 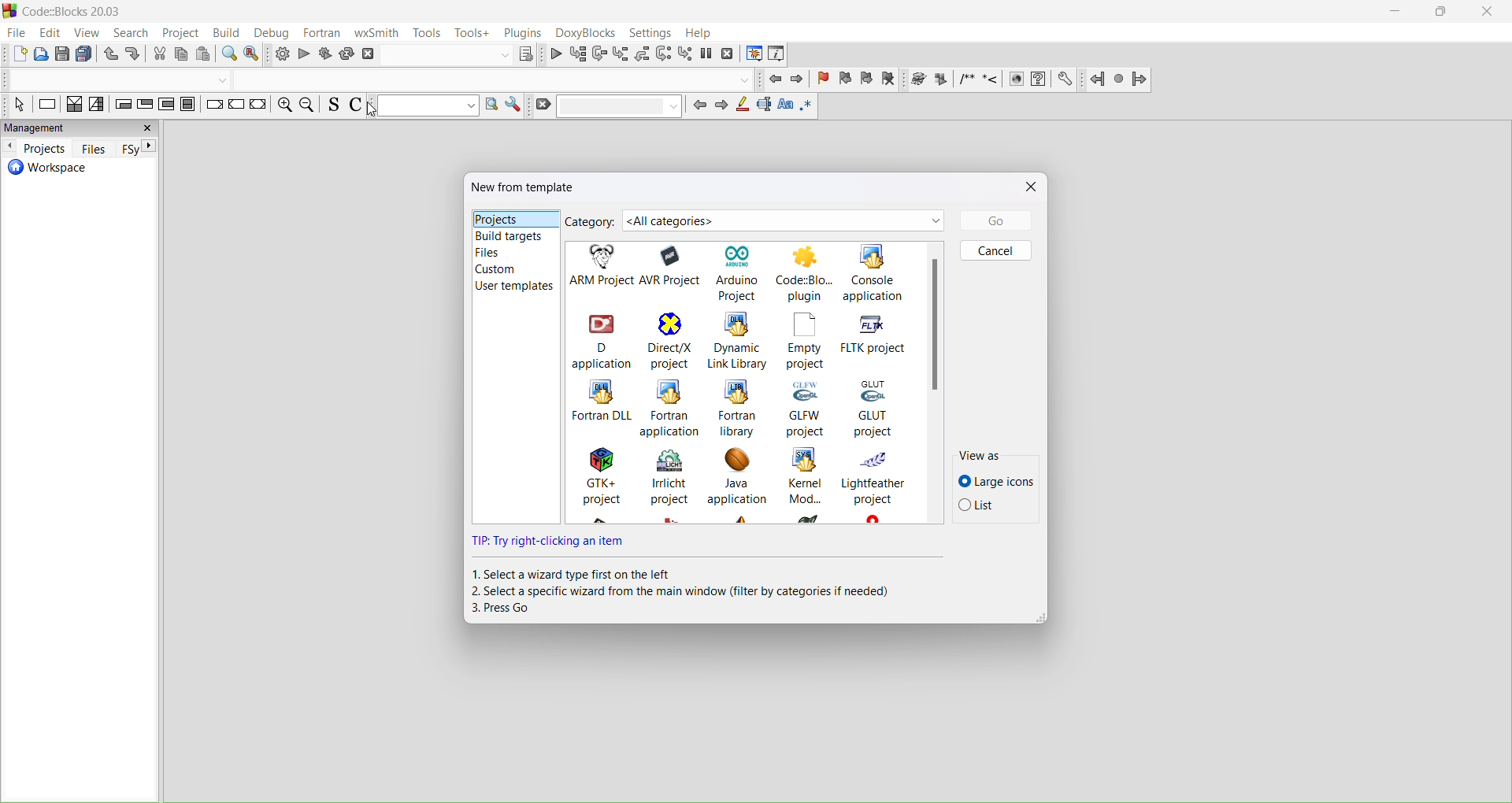 What do you see at coordinates (725, 109) in the screenshot?
I see `next` at bounding box center [725, 109].